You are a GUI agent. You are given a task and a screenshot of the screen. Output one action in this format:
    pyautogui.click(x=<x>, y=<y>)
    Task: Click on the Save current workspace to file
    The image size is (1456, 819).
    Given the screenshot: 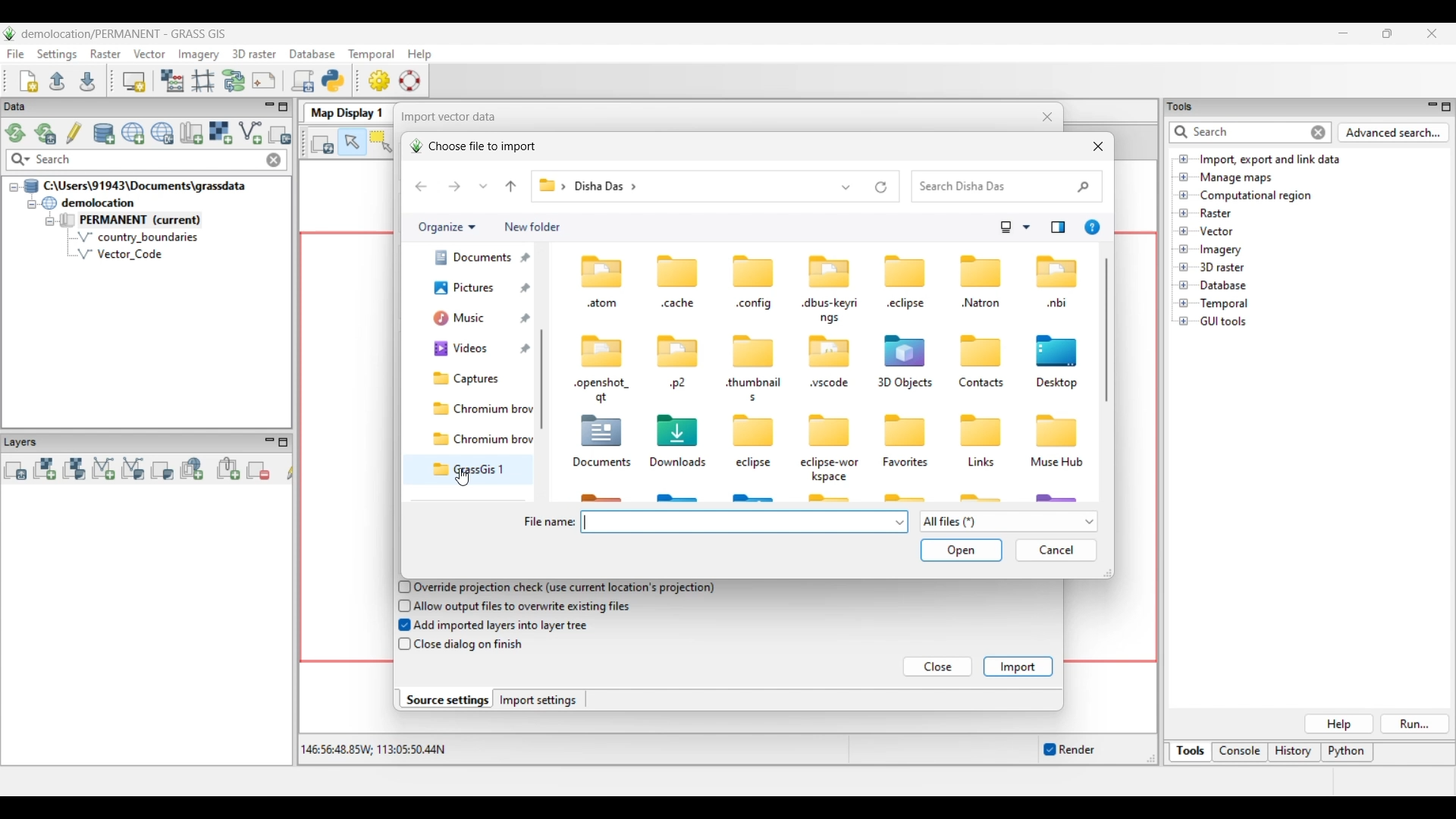 What is the action you would take?
    pyautogui.click(x=87, y=80)
    